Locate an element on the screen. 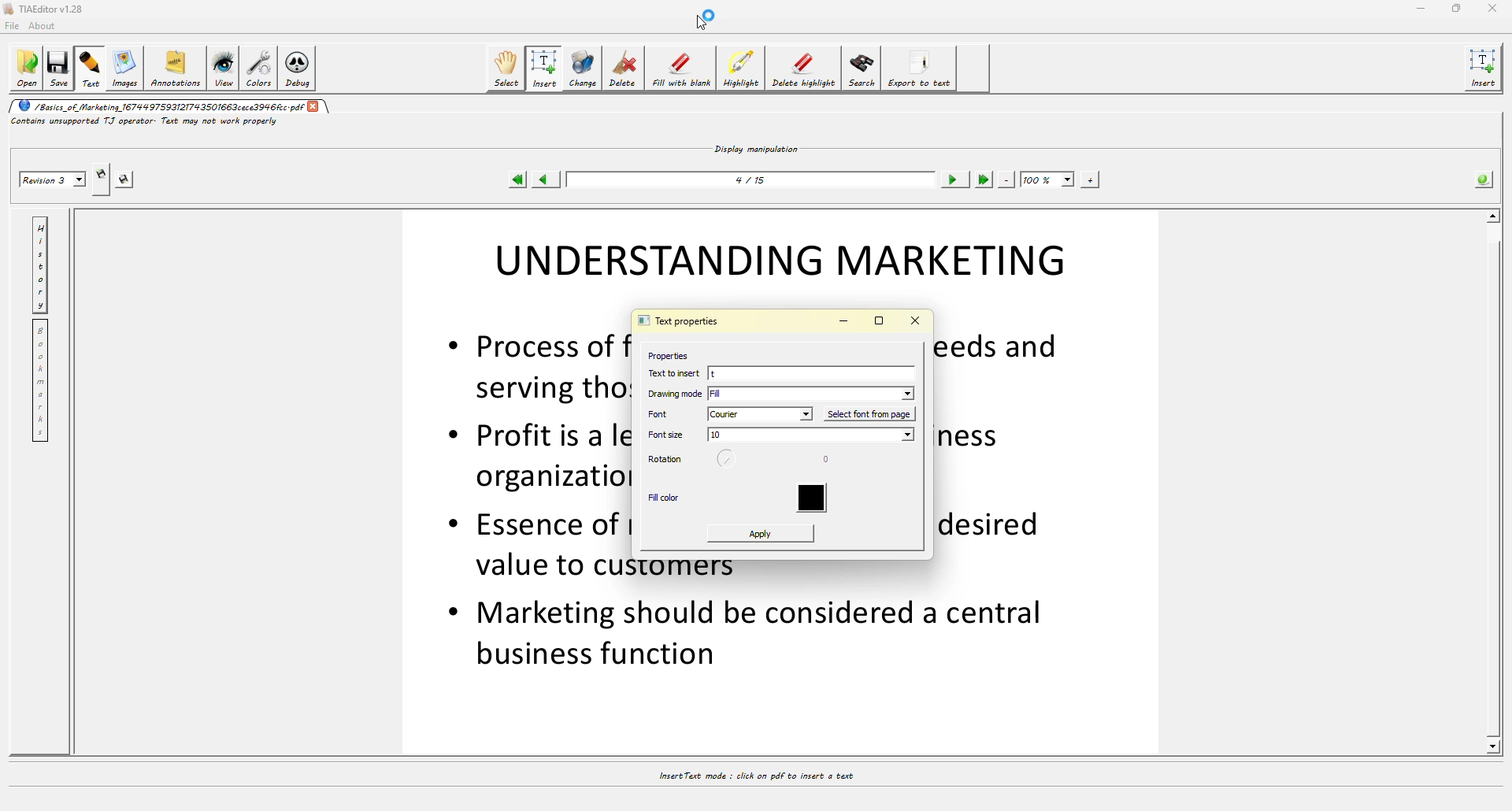 This screenshot has width=1512, height=811. drawing mode is located at coordinates (676, 394).